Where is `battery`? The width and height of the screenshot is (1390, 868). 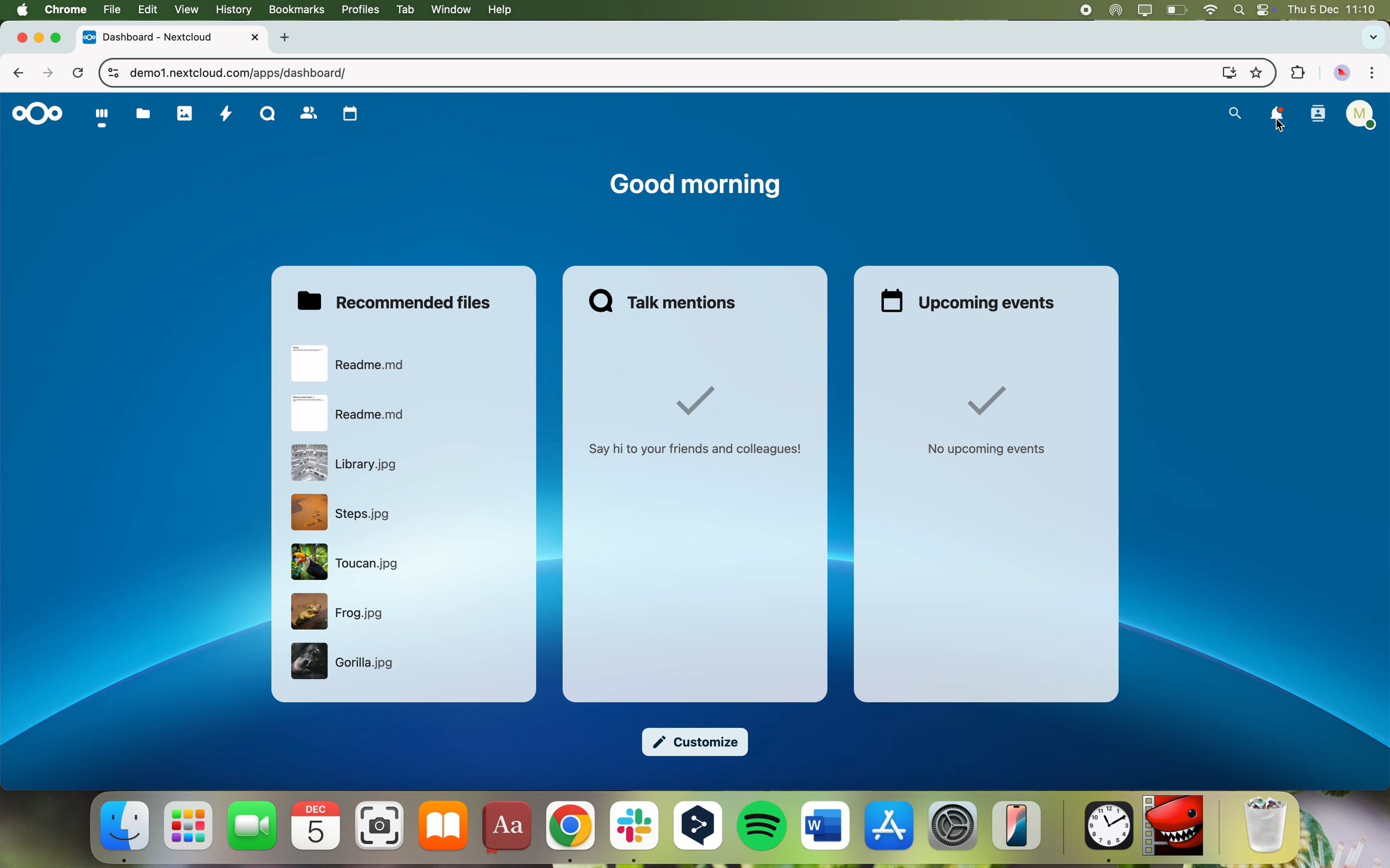 battery is located at coordinates (1176, 9).